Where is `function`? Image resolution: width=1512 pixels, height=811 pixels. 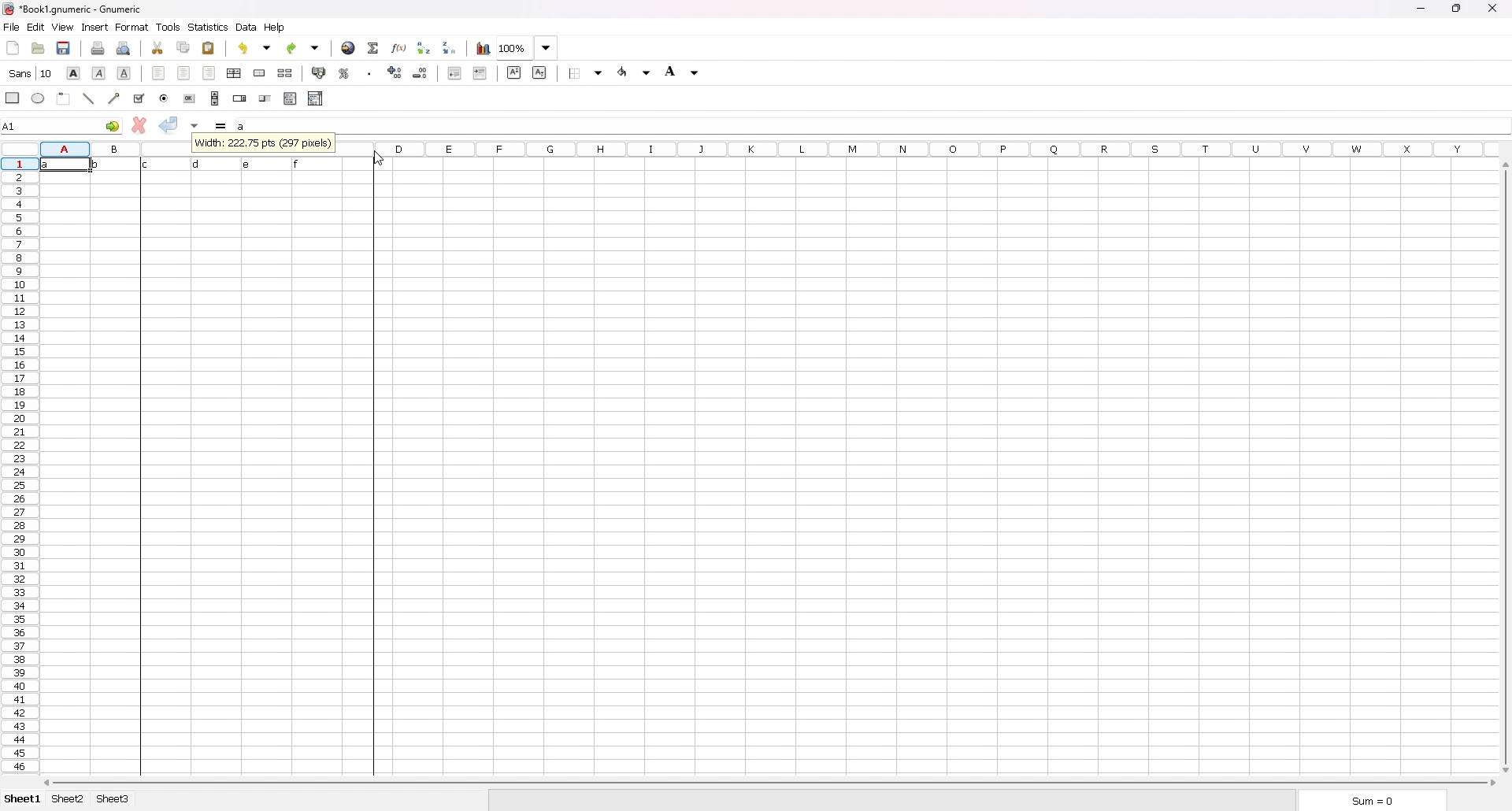 function is located at coordinates (399, 48).